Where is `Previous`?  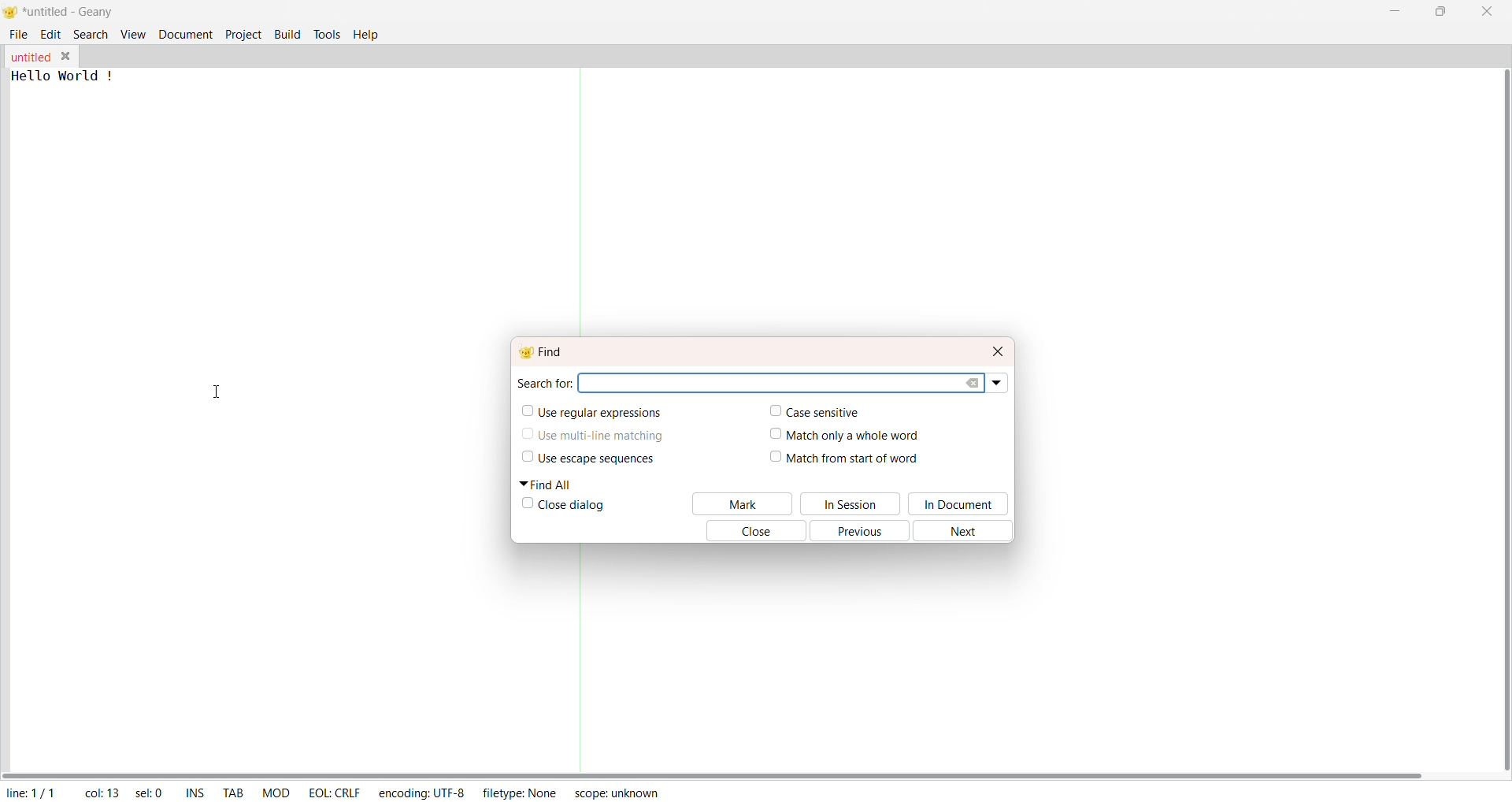 Previous is located at coordinates (865, 533).